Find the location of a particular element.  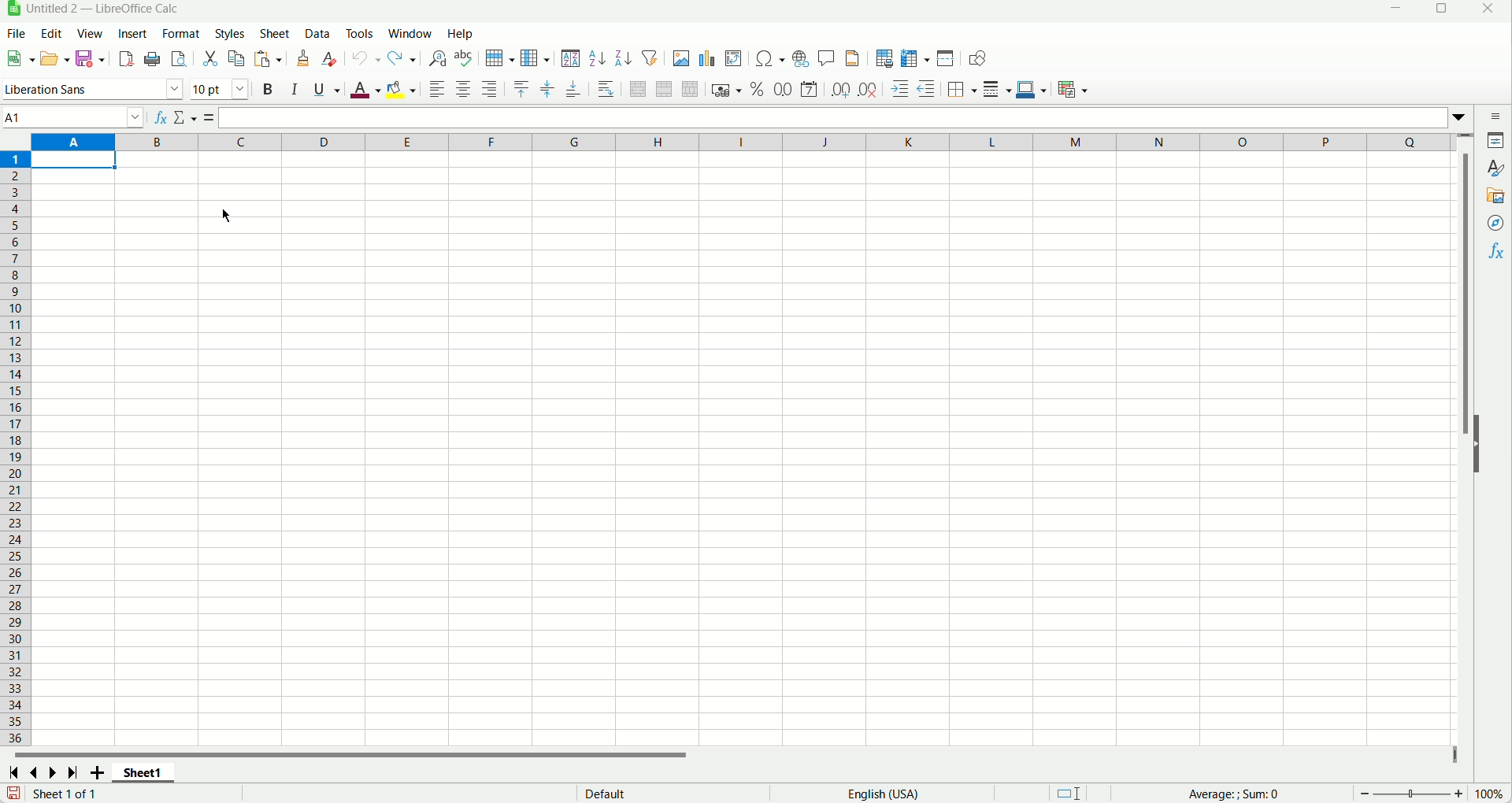

Styles is located at coordinates (228, 33).